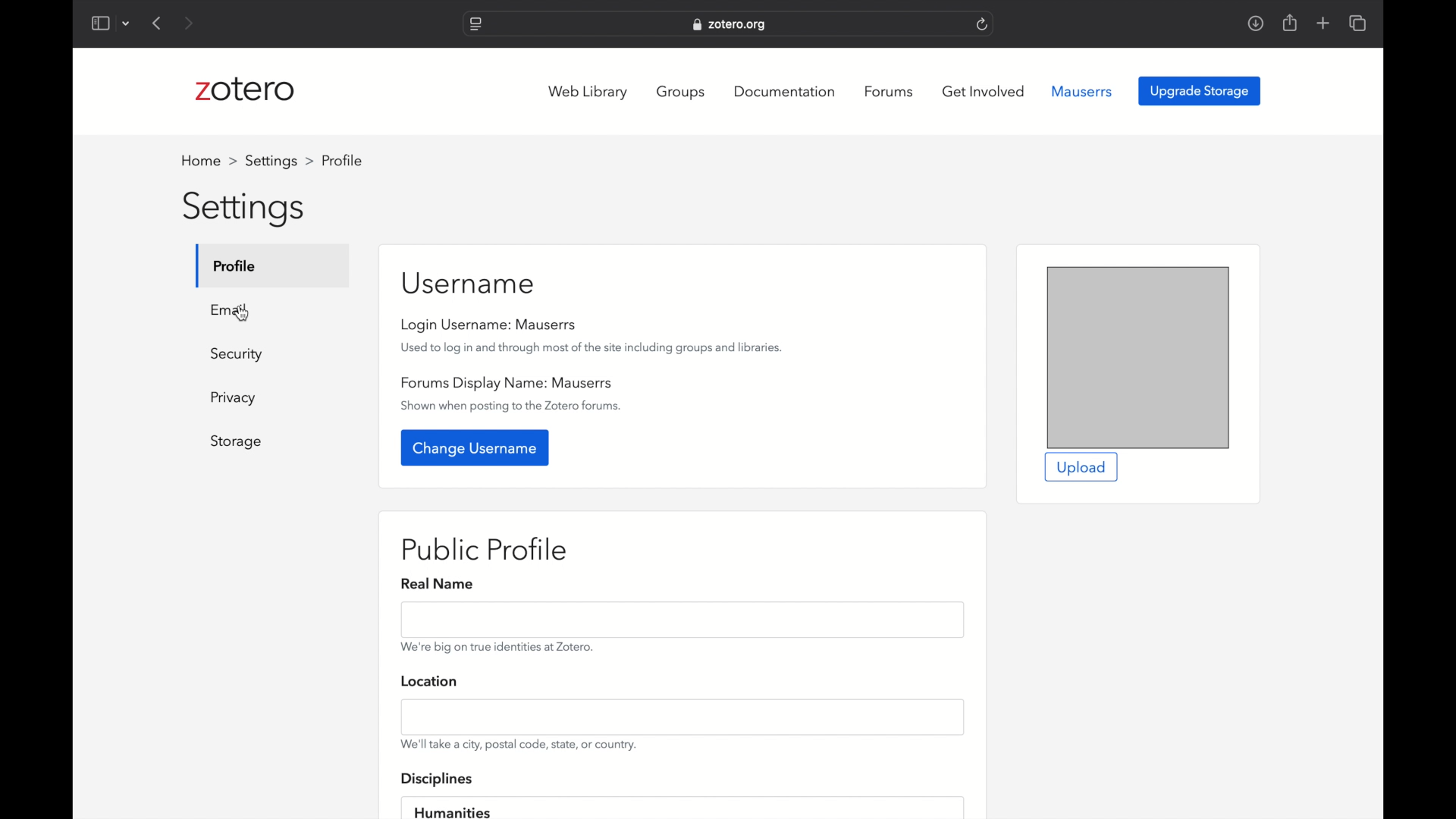 This screenshot has width=1456, height=819. Describe the element at coordinates (682, 93) in the screenshot. I see `groups` at that location.